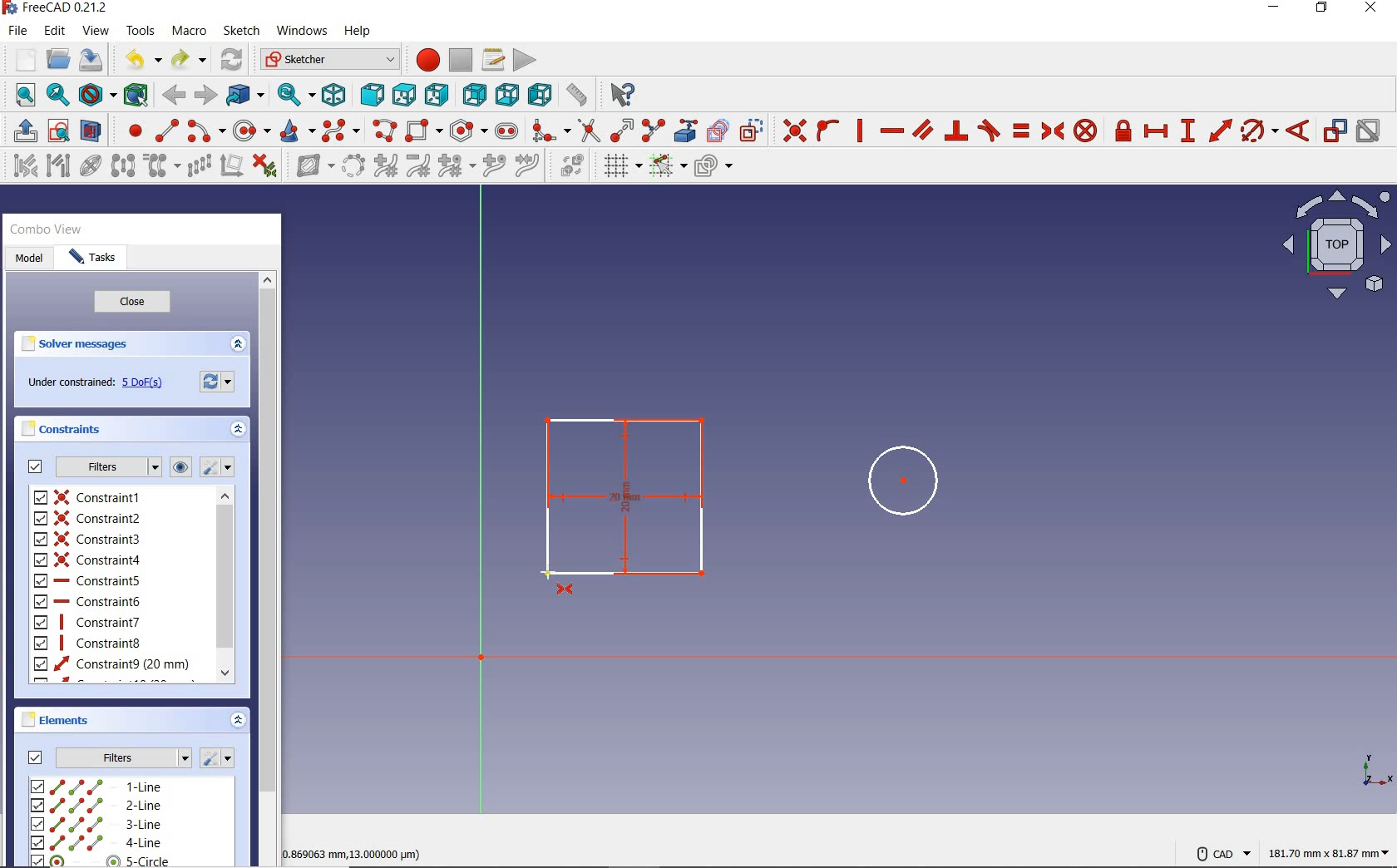 This screenshot has width=1397, height=868. What do you see at coordinates (508, 96) in the screenshot?
I see `bottom` at bounding box center [508, 96].